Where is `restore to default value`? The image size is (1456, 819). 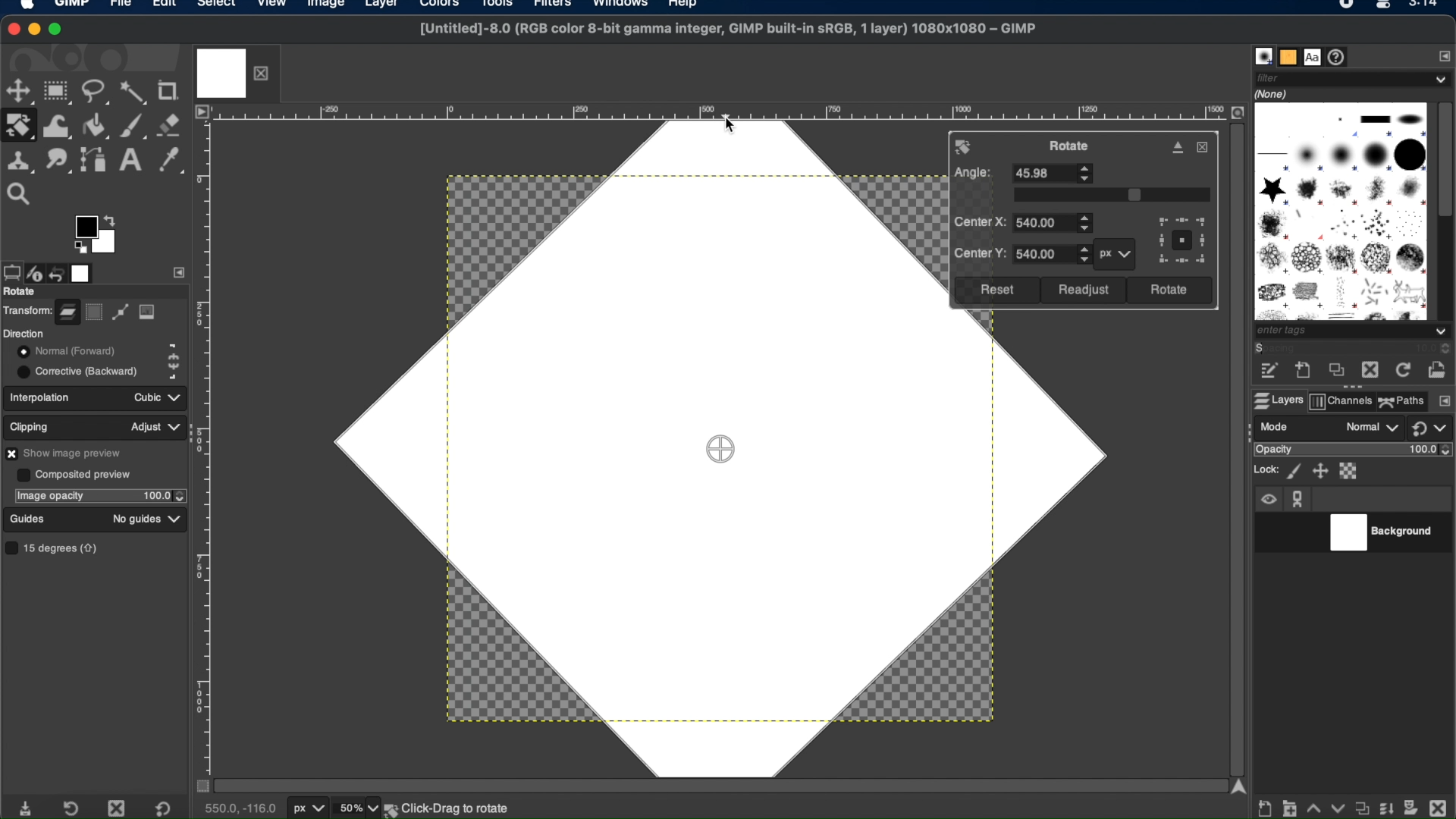 restore to default value is located at coordinates (169, 808).